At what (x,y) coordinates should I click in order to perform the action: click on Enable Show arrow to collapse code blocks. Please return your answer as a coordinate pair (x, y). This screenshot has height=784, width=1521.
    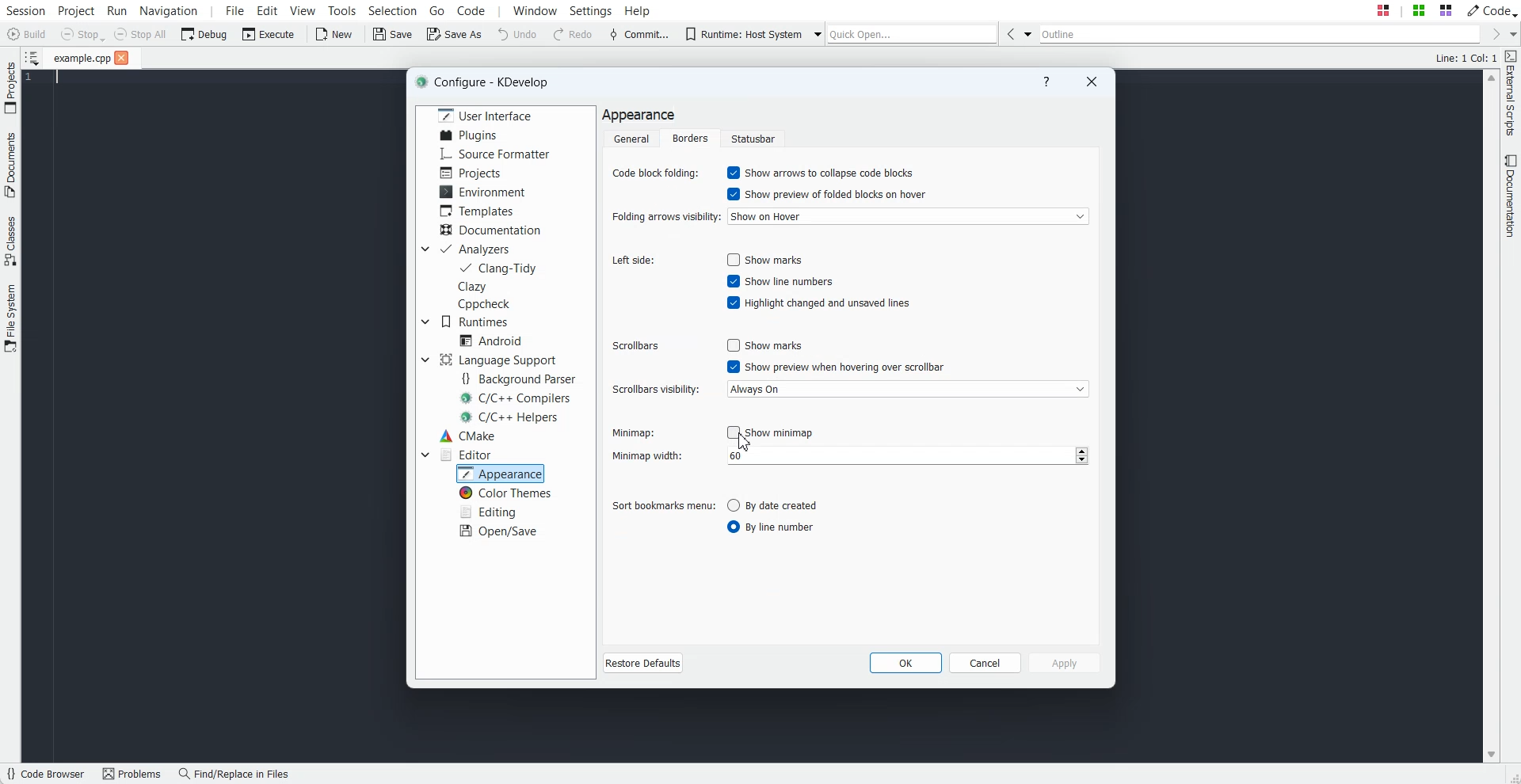
    Looking at the image, I should click on (824, 172).